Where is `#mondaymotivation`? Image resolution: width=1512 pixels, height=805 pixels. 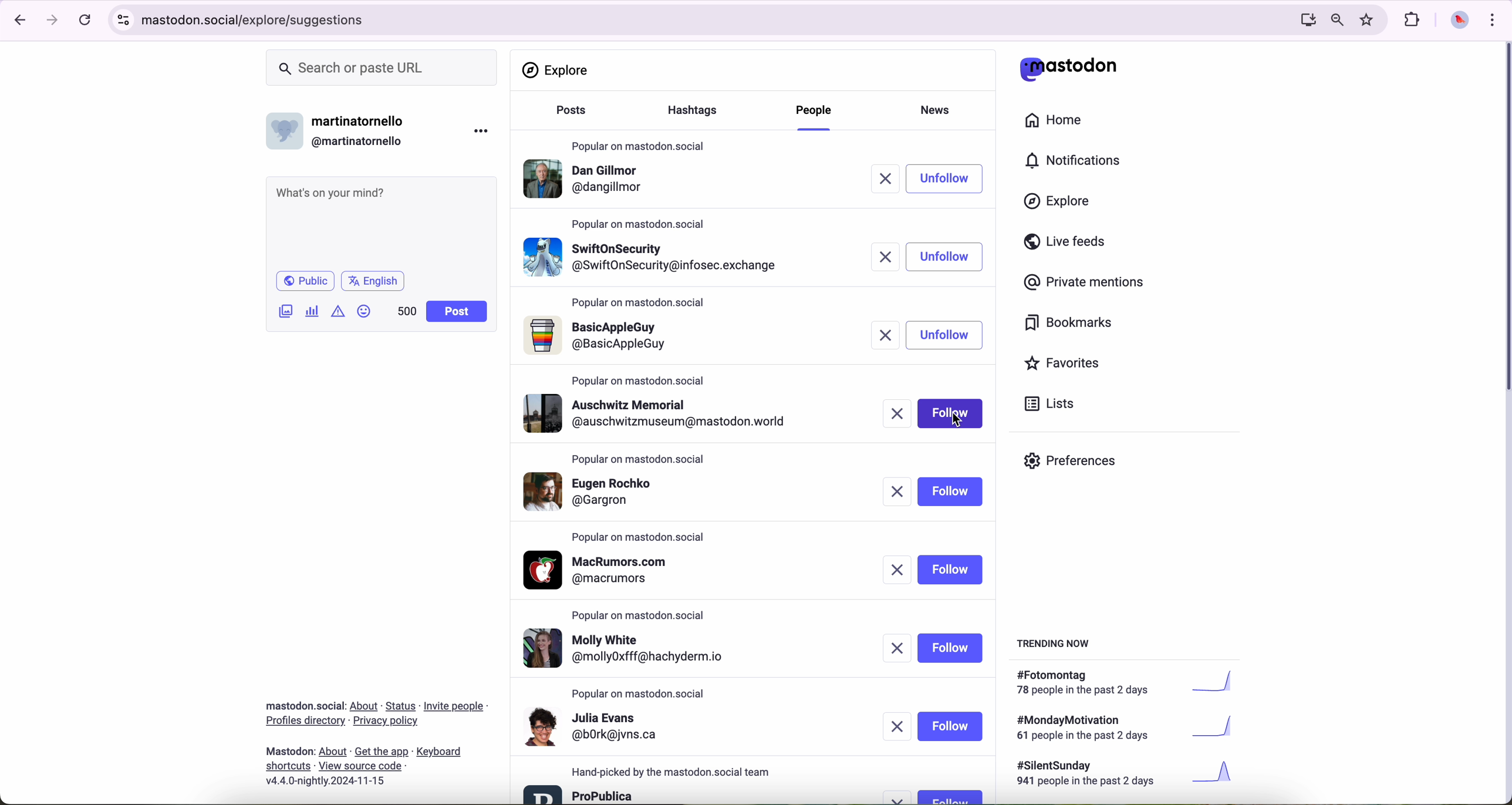 #mondaymotivation is located at coordinates (1123, 727).